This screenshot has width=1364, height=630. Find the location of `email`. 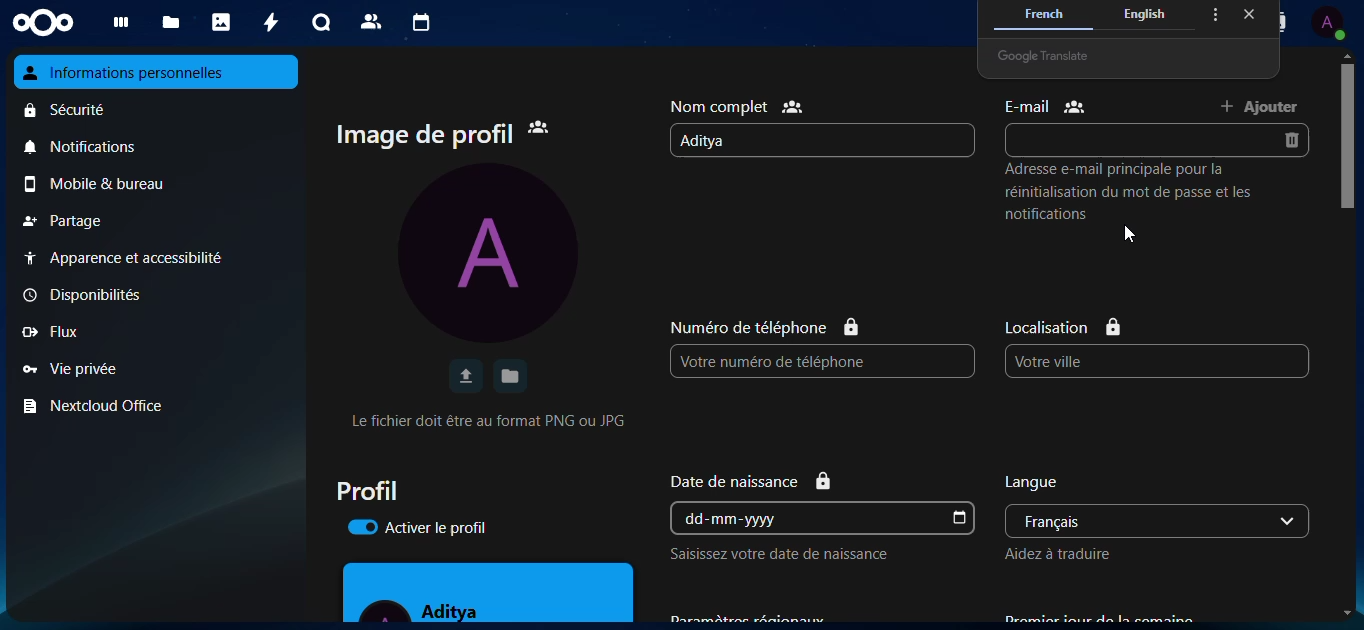

email is located at coordinates (1045, 106).